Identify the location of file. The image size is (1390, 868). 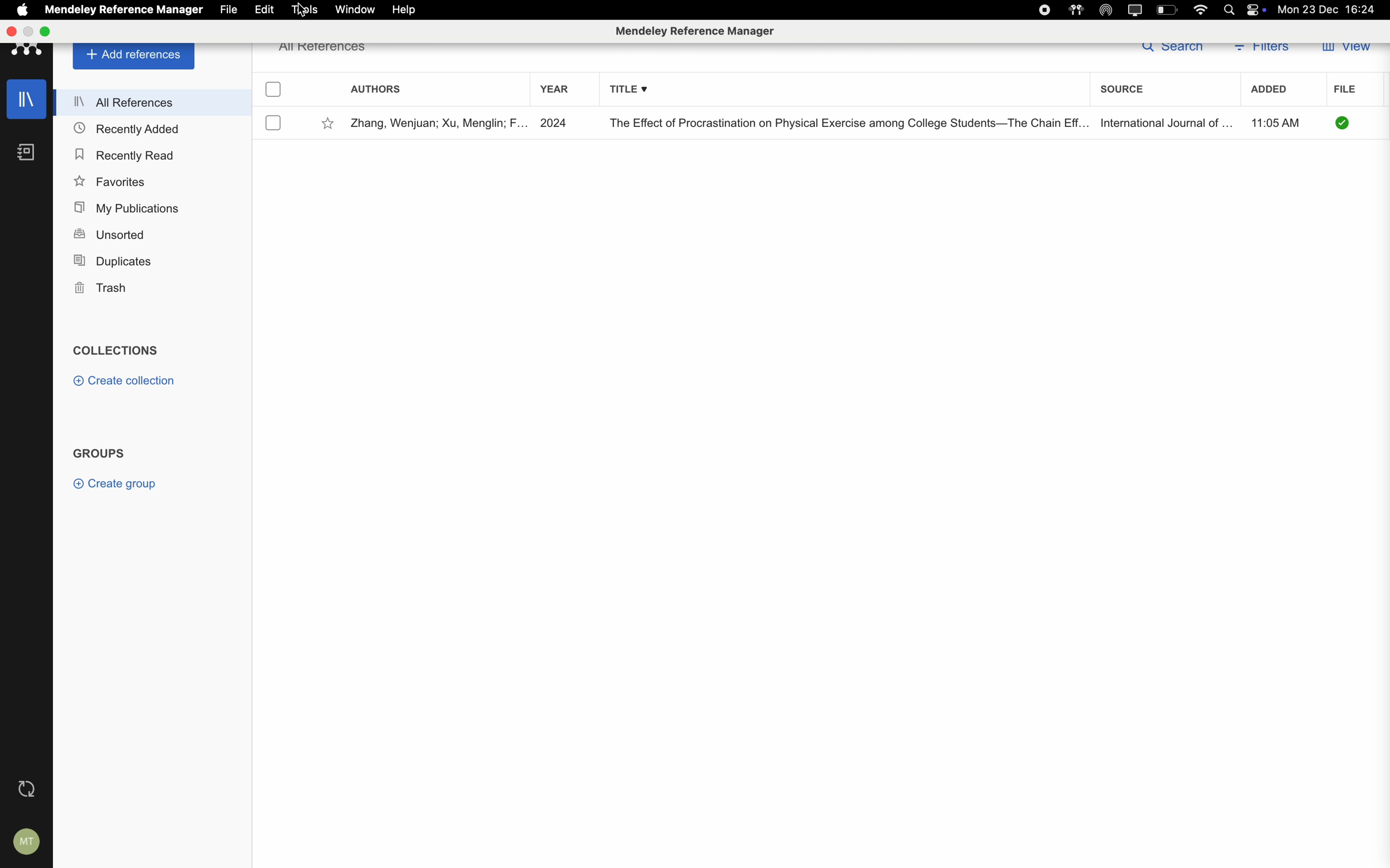
(1346, 88).